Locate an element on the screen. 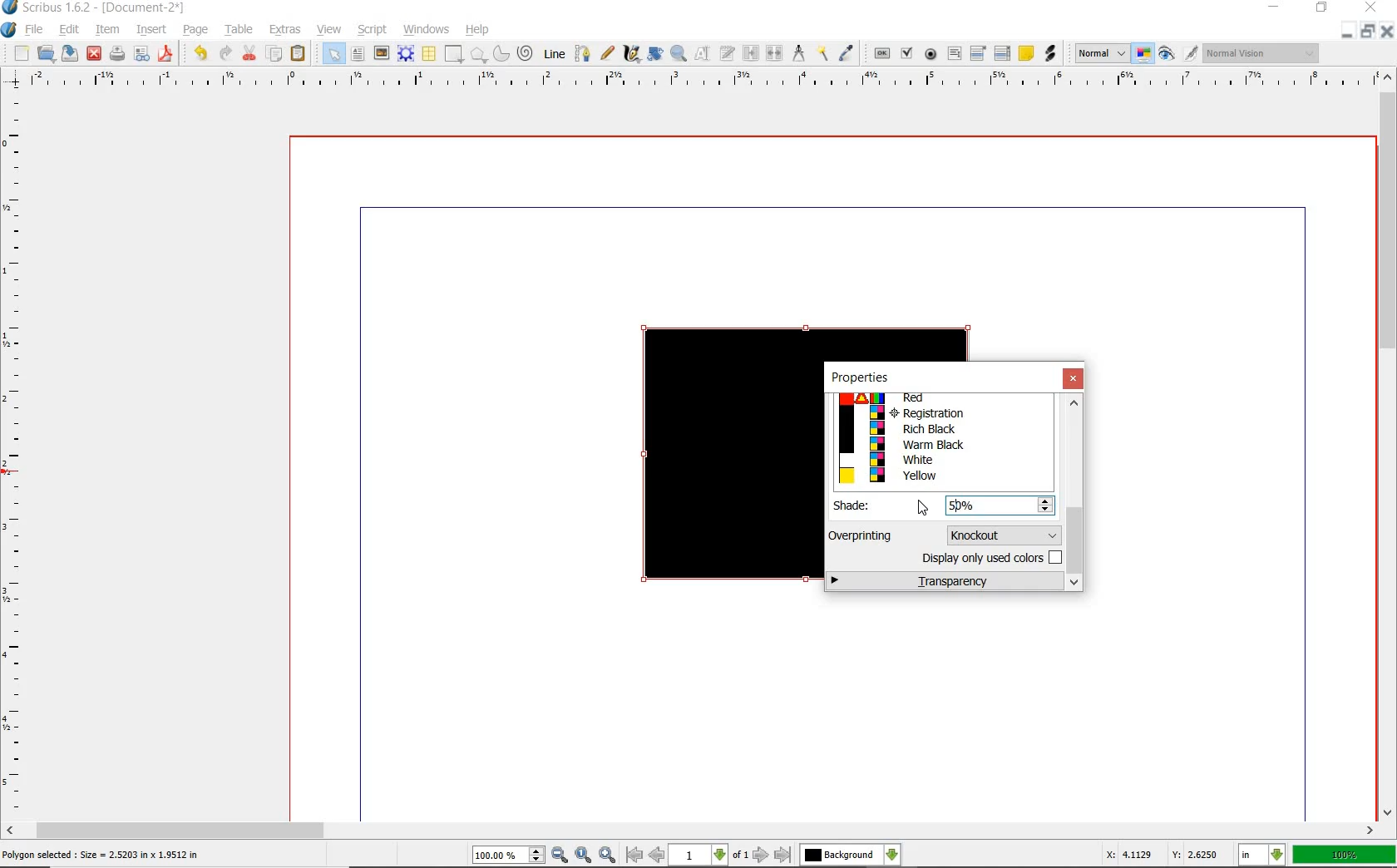 The image size is (1397, 868). edit text with story editor is located at coordinates (727, 55).